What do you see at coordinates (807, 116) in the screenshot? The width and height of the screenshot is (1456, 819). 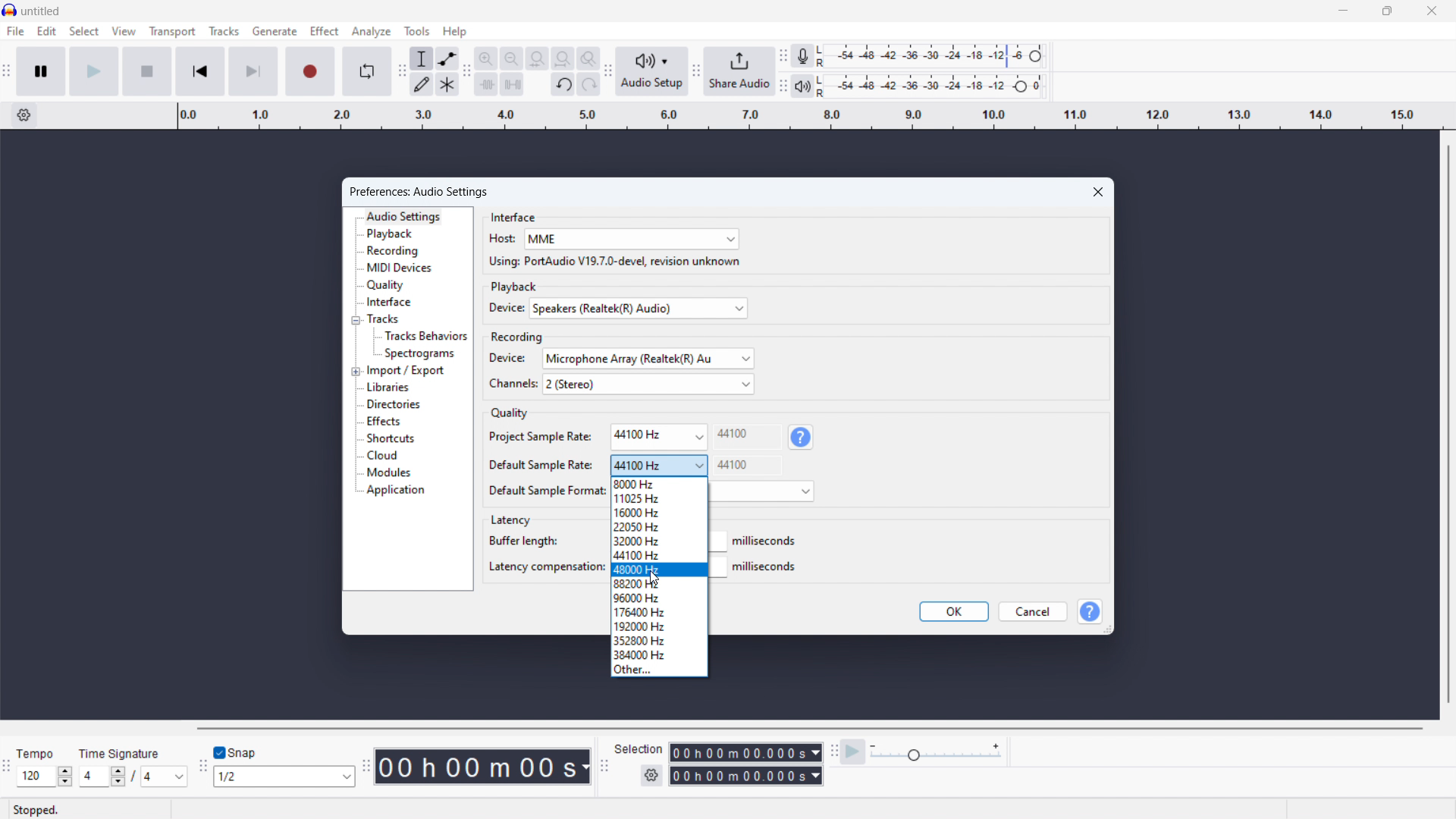 I see `timeline` at bounding box center [807, 116].